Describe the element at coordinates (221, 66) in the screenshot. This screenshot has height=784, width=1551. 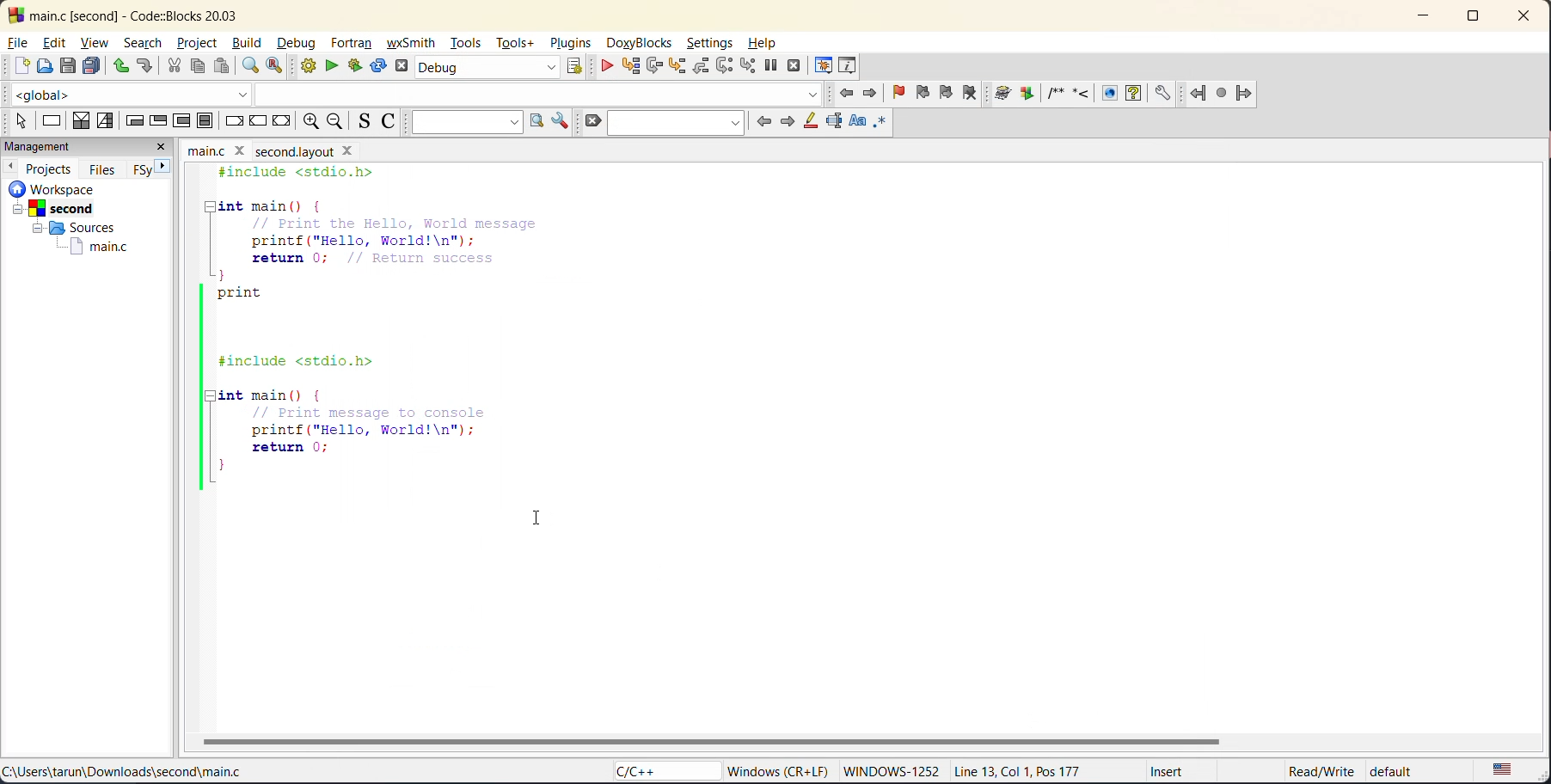
I see `paste` at that location.